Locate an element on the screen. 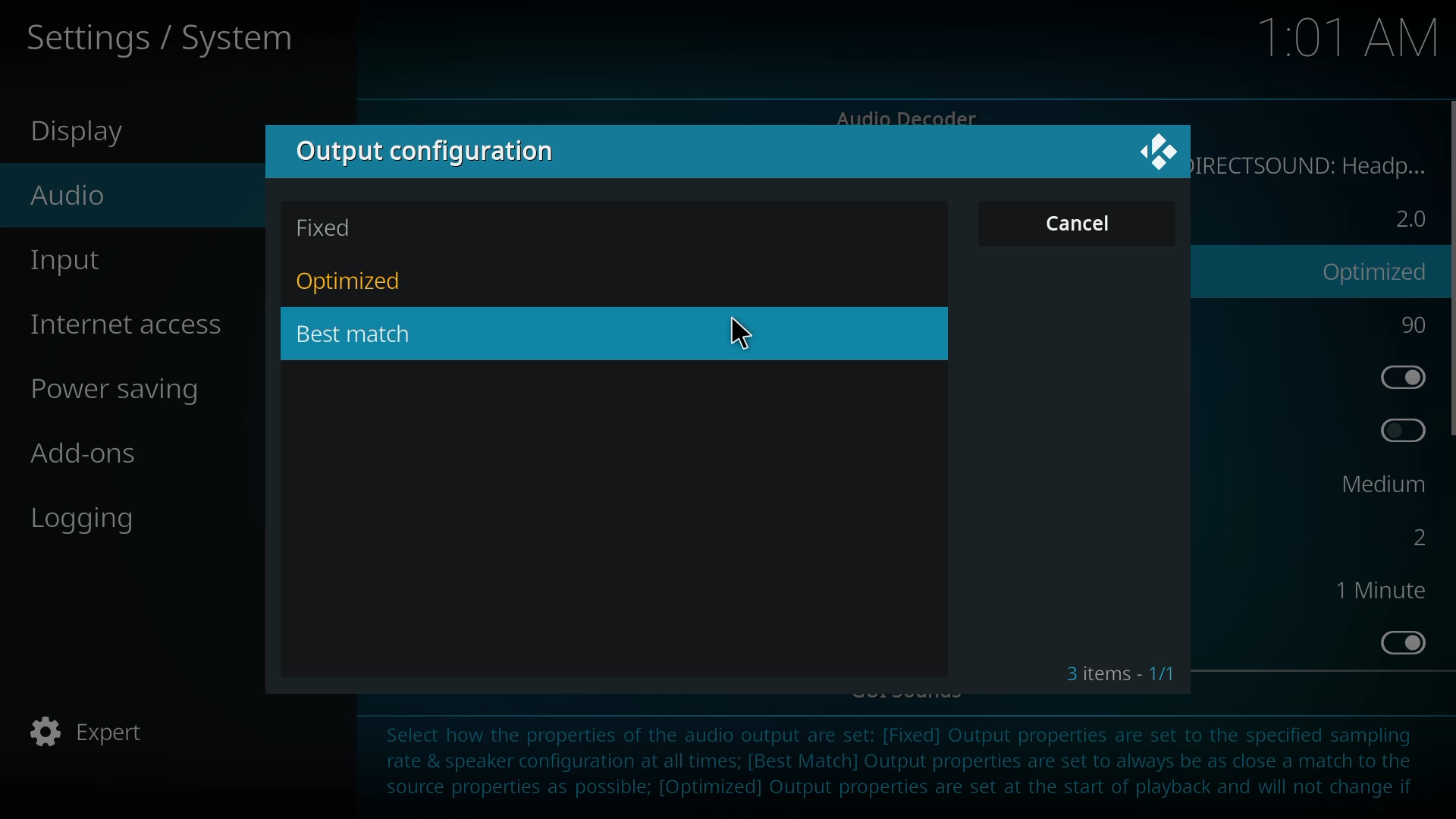  optimized is located at coordinates (351, 282).